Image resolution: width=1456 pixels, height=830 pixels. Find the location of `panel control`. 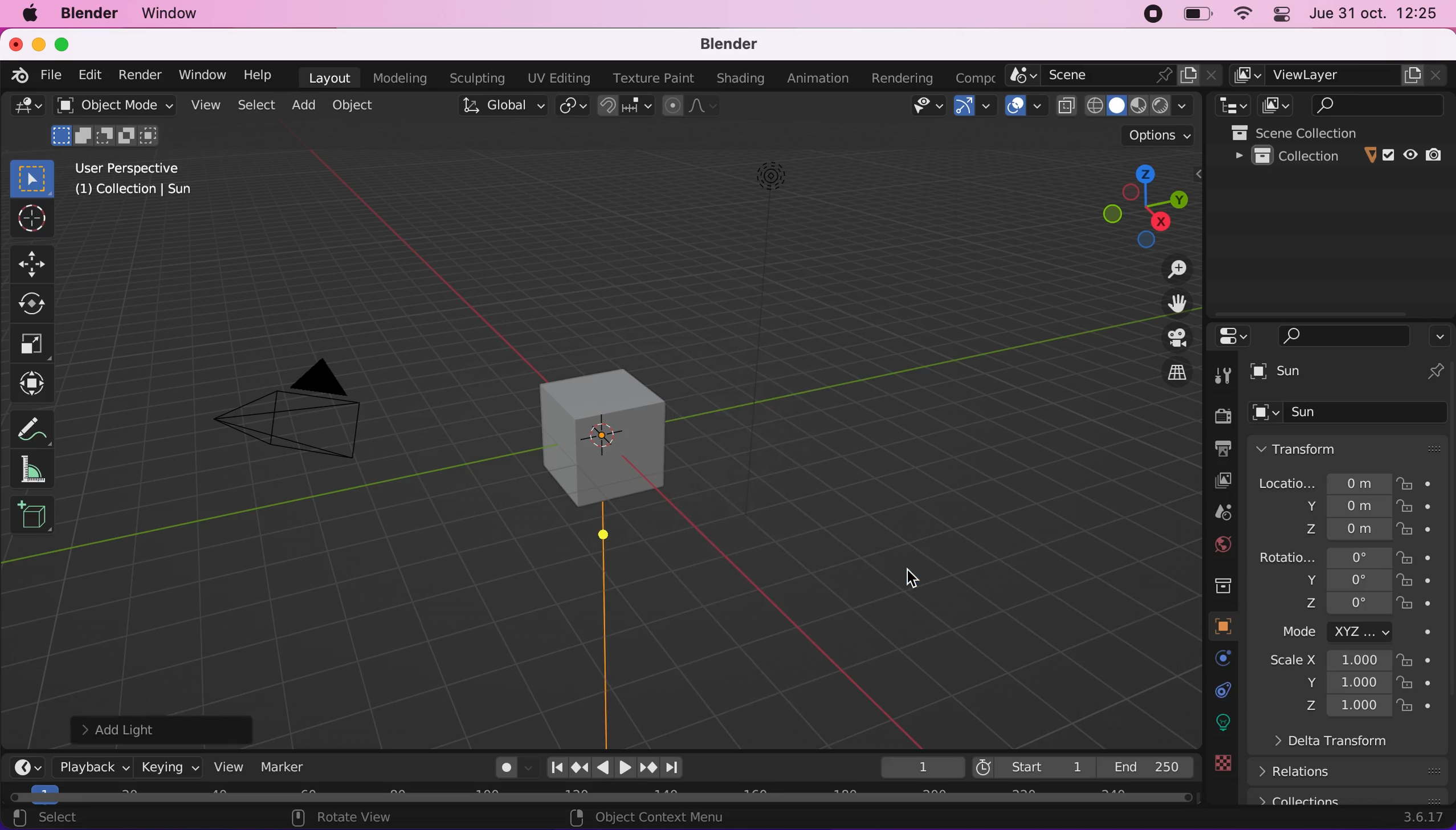

panel control is located at coordinates (1281, 14).